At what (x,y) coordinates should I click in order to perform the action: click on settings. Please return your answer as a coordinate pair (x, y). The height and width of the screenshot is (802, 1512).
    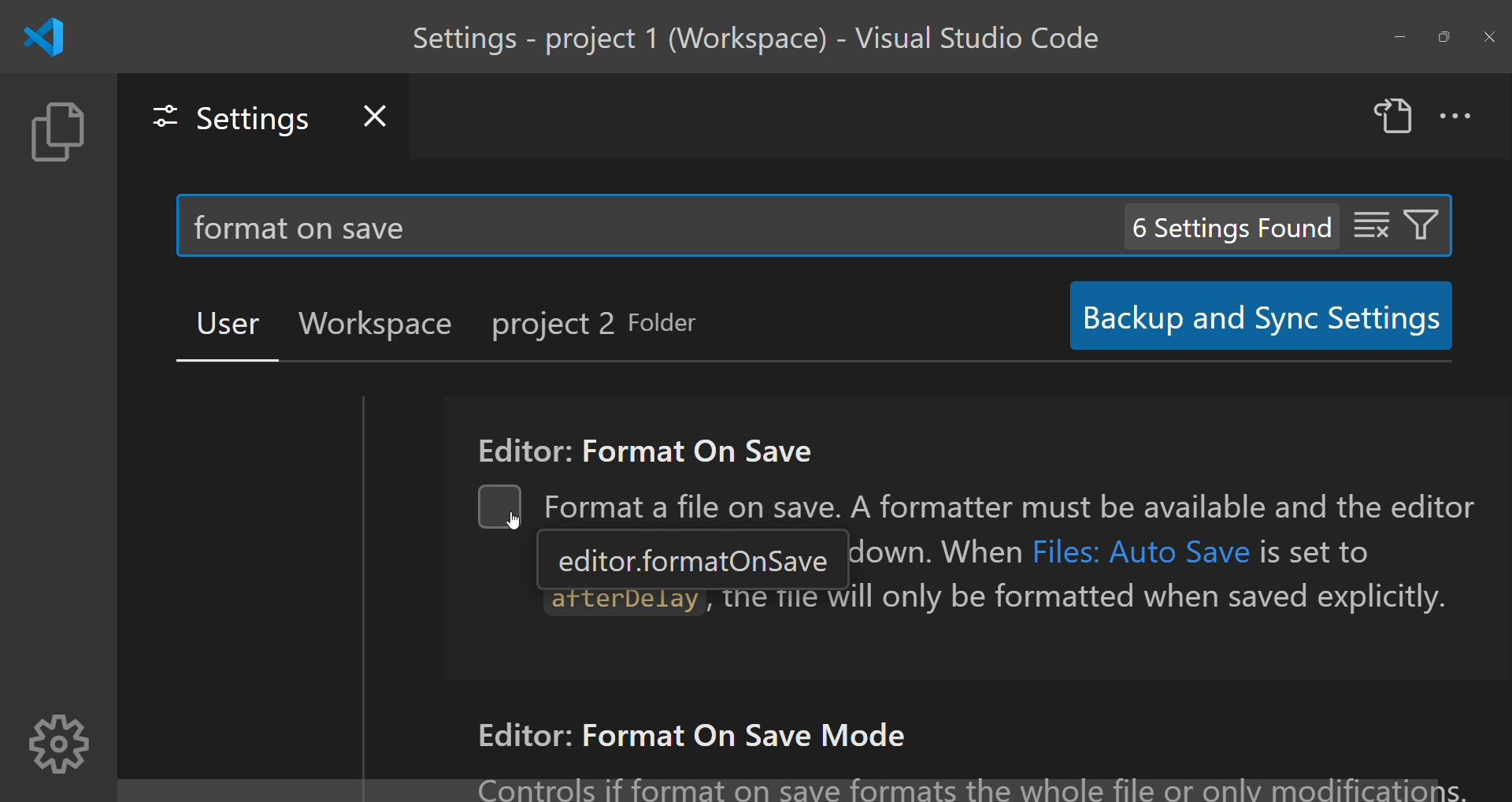
    Looking at the image, I should click on (57, 744).